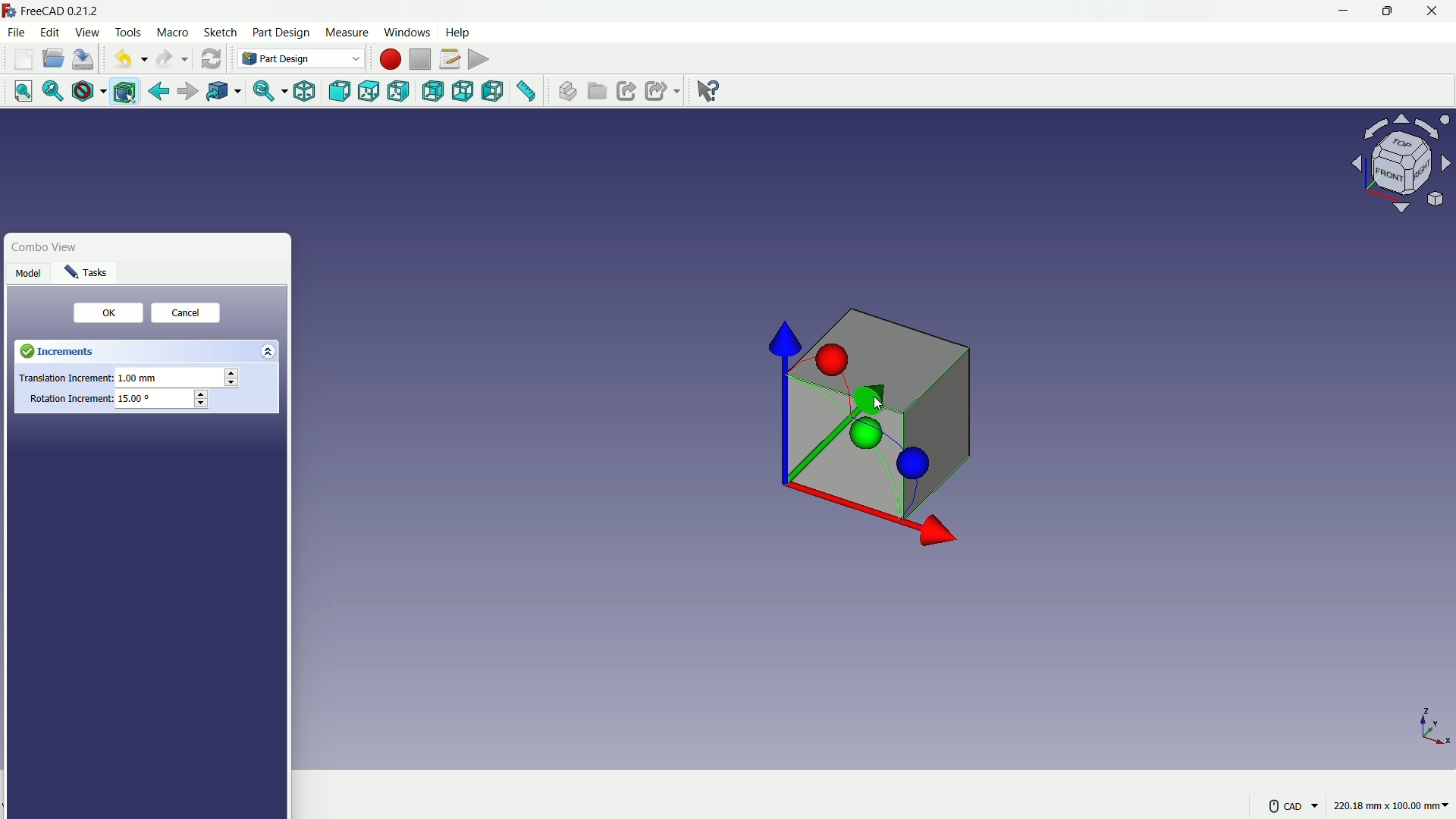 Image resolution: width=1456 pixels, height=819 pixels. Describe the element at coordinates (136, 398) in the screenshot. I see `15.00°` at that location.